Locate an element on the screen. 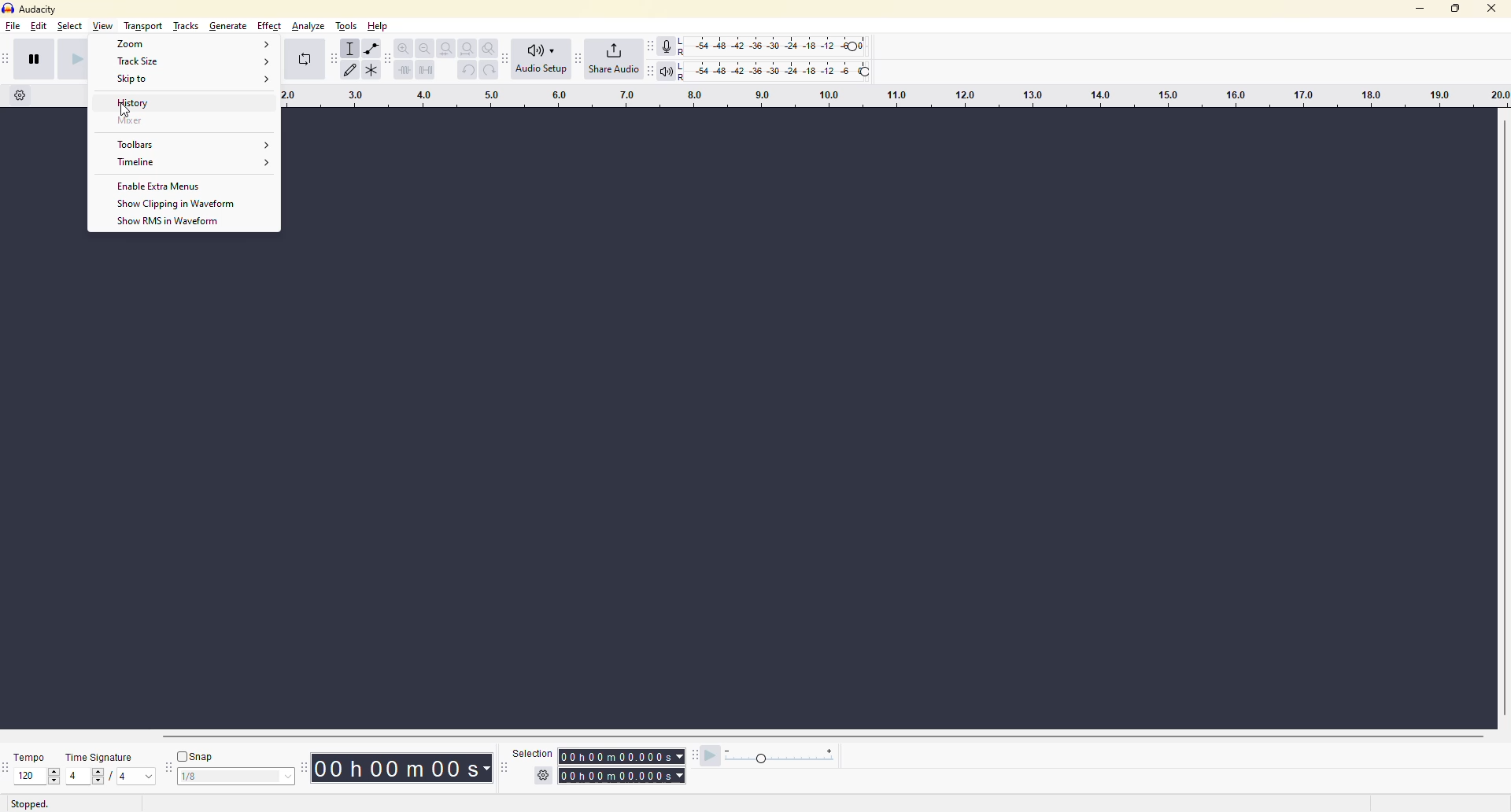 The image size is (1511, 812). cursor is located at coordinates (125, 112).